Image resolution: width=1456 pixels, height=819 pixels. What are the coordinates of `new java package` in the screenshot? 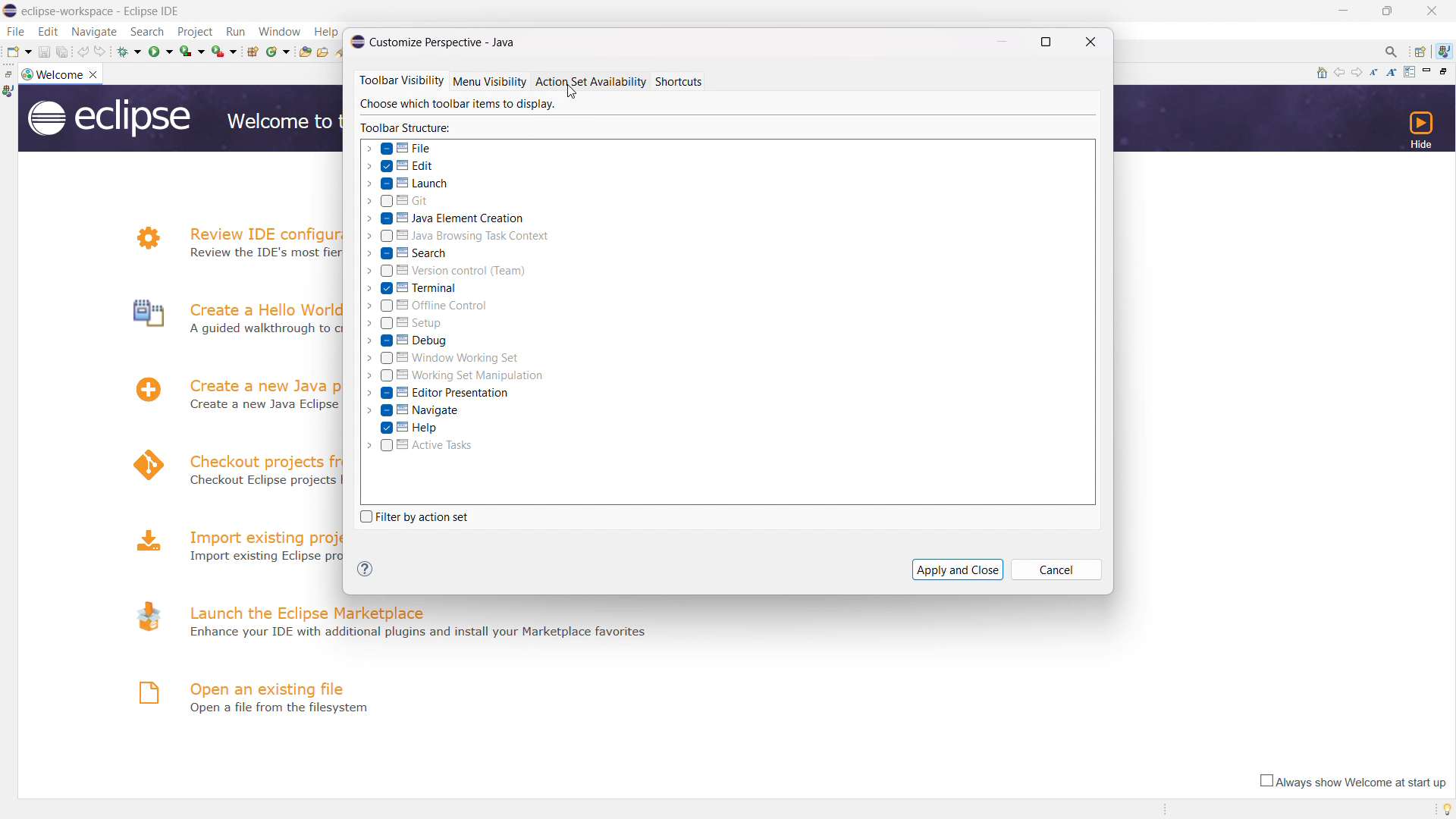 It's located at (253, 52).